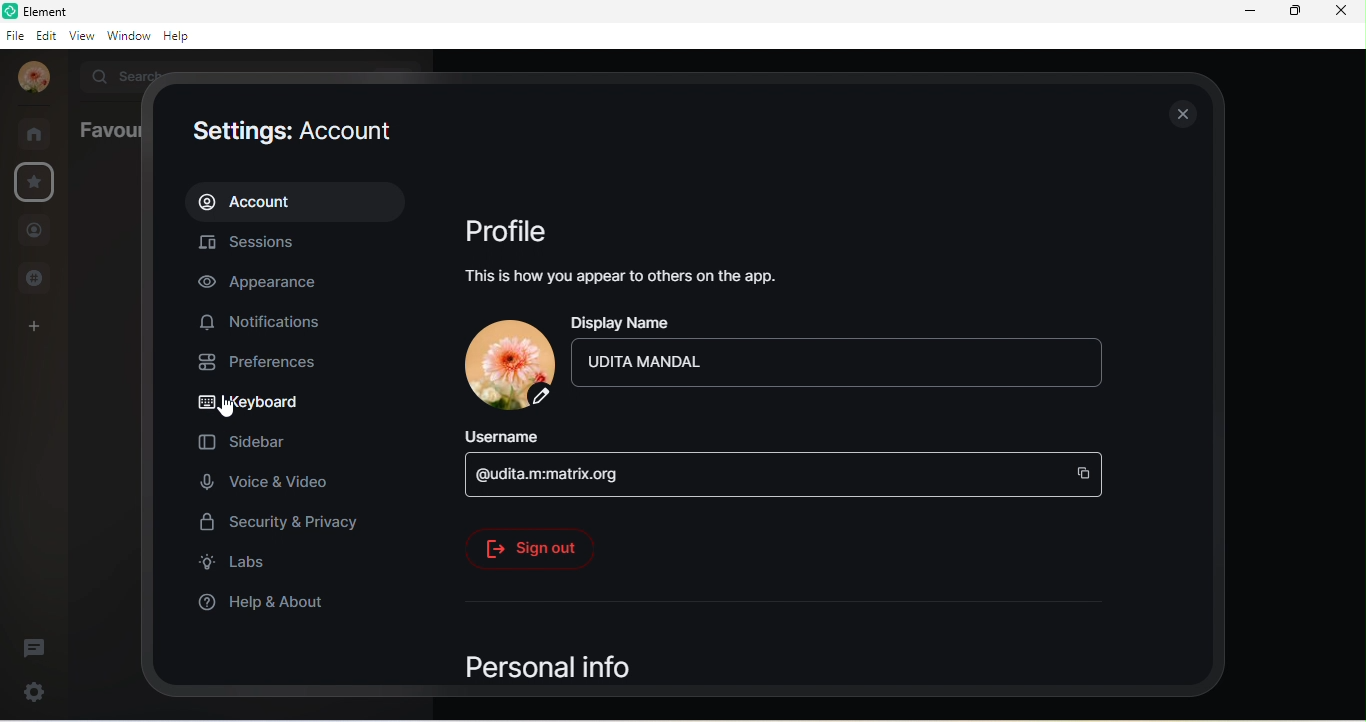 The height and width of the screenshot is (722, 1366). I want to click on maximize, so click(1293, 12).